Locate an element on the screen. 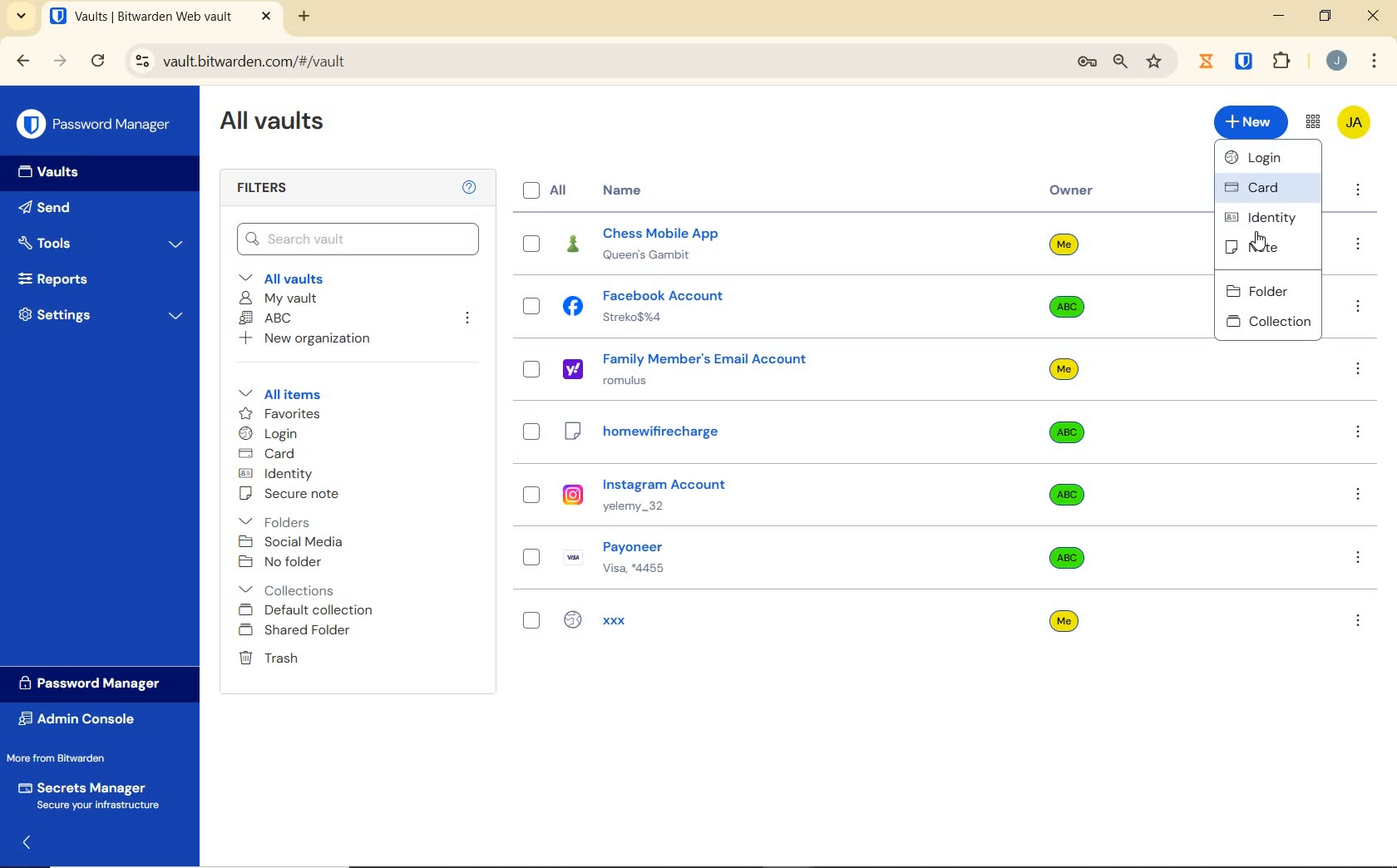 The height and width of the screenshot is (868, 1397). favorites is located at coordinates (277, 413).